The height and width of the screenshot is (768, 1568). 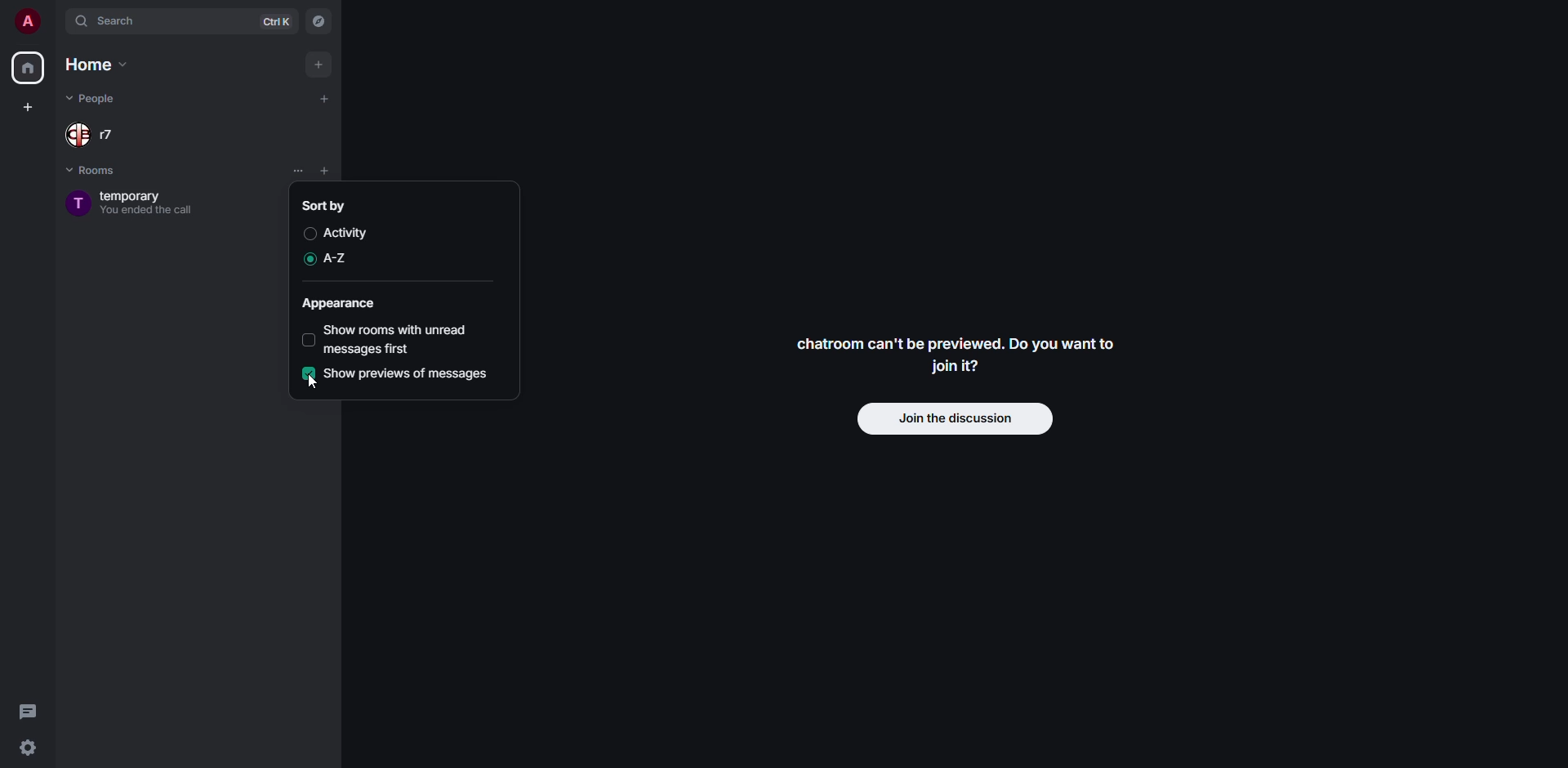 What do you see at coordinates (124, 203) in the screenshot?
I see `room` at bounding box center [124, 203].